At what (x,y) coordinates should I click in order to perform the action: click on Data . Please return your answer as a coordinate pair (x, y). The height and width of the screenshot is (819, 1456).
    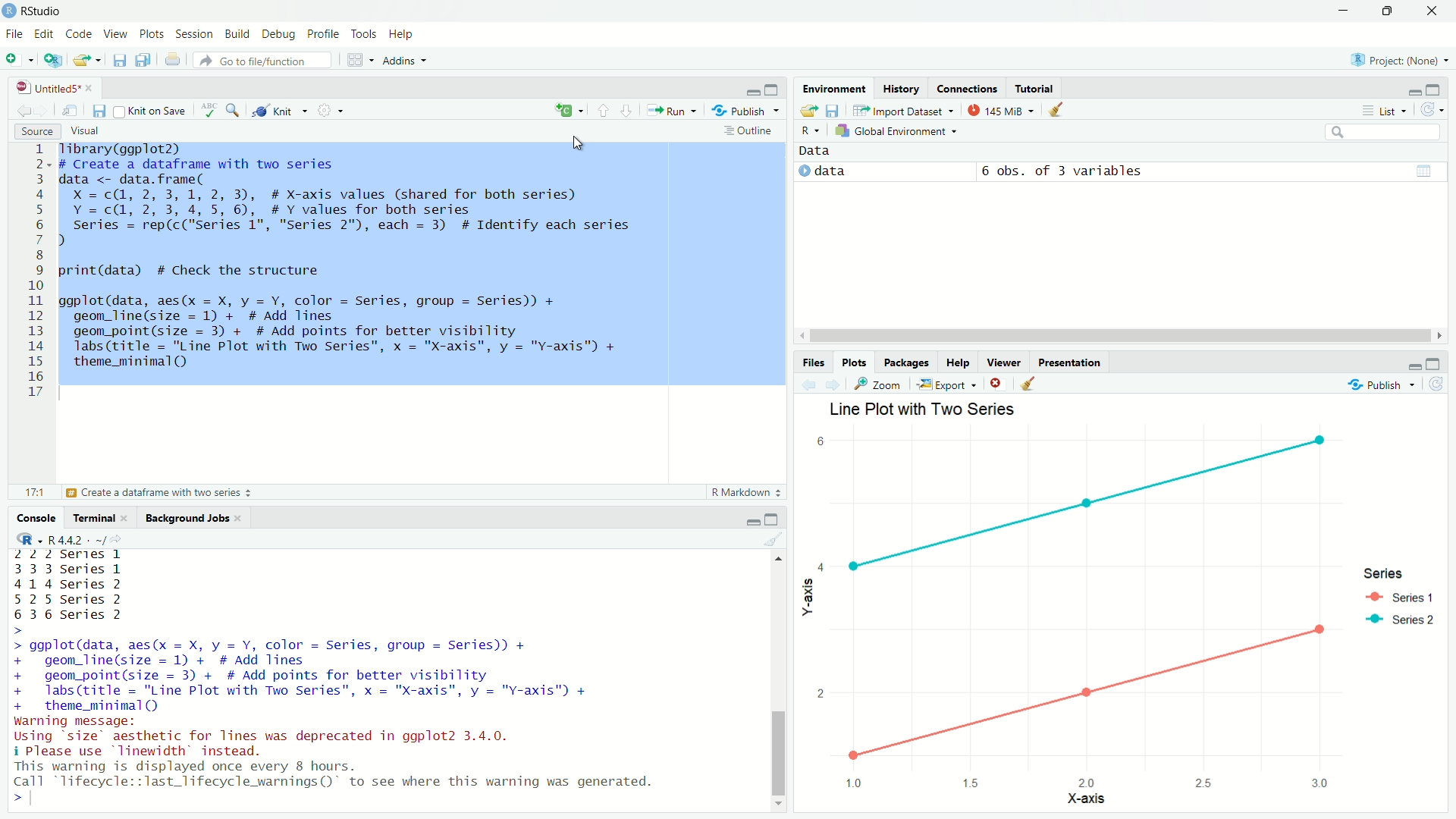
    Looking at the image, I should click on (1119, 174).